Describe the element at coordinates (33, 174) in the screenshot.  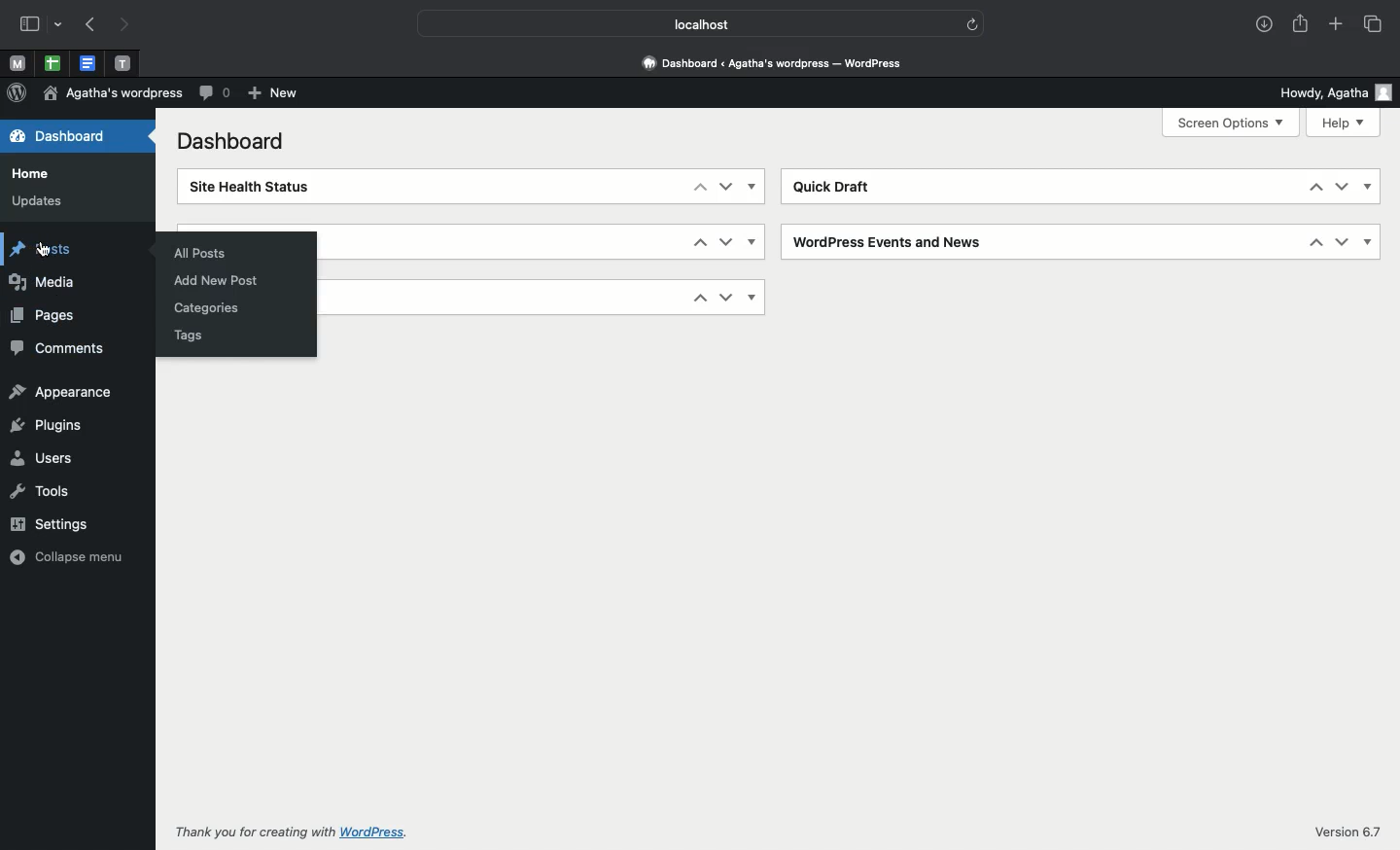
I see `Home` at that location.